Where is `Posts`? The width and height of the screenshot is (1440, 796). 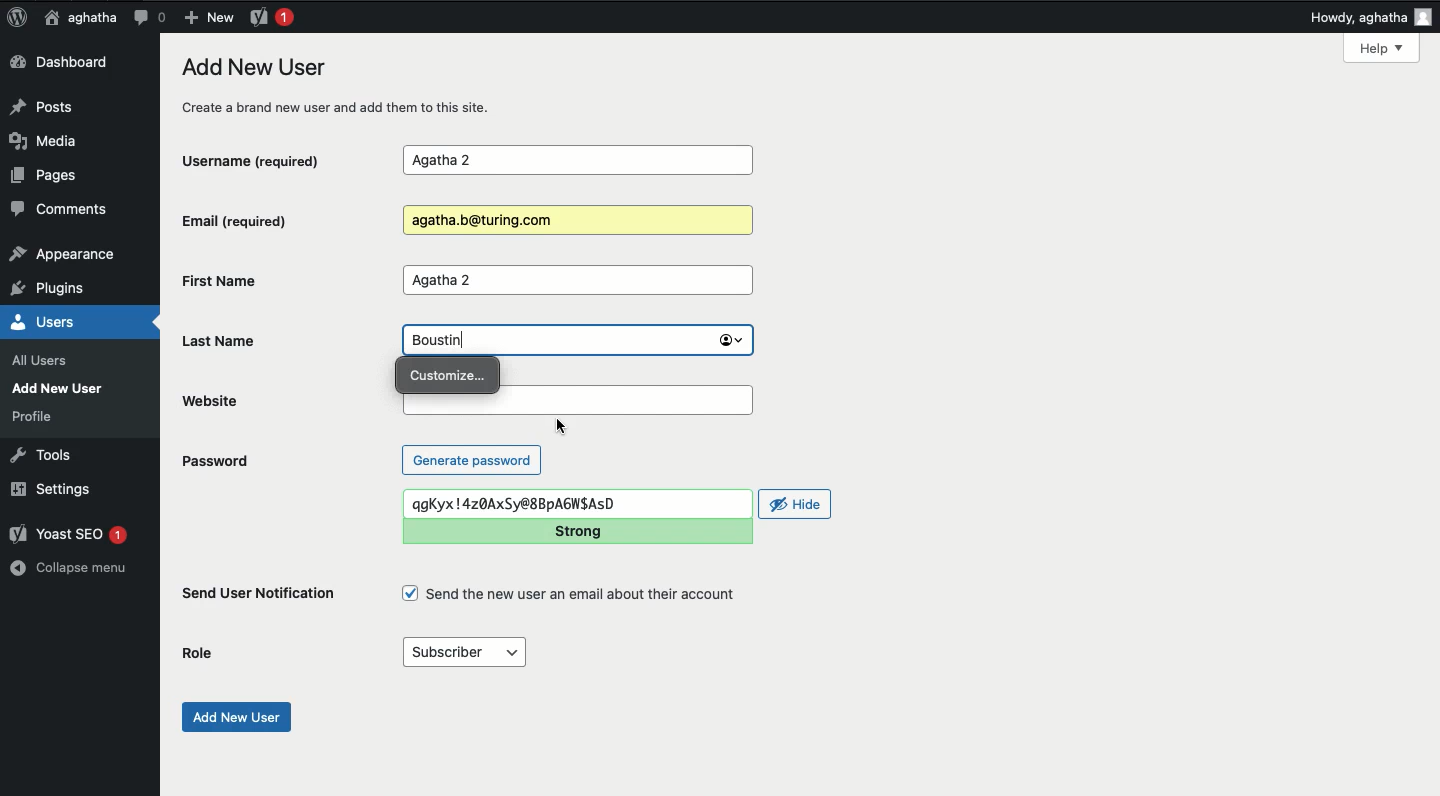 Posts is located at coordinates (47, 105).